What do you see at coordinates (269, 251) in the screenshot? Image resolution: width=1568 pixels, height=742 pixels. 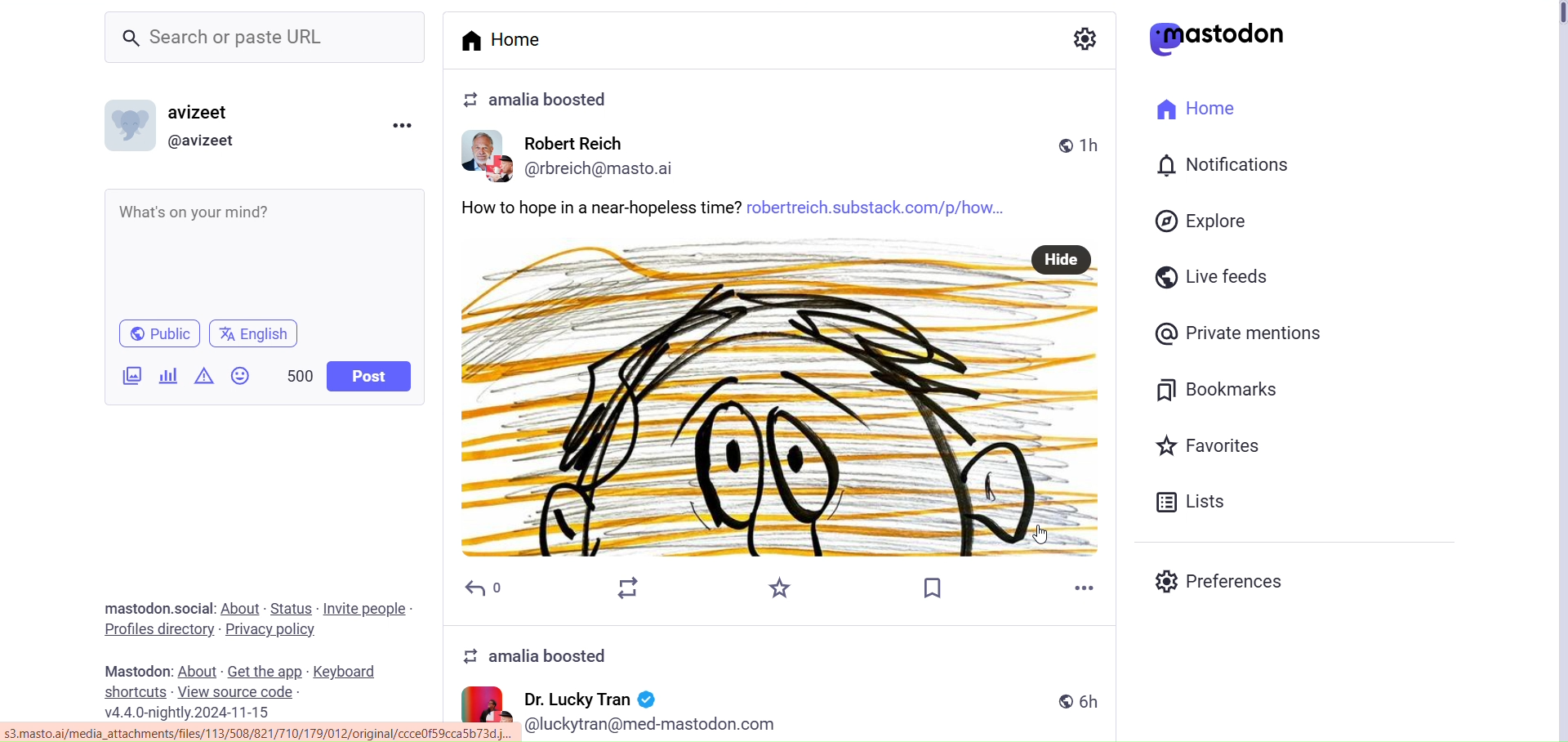 I see `Whats on your Mind` at bounding box center [269, 251].